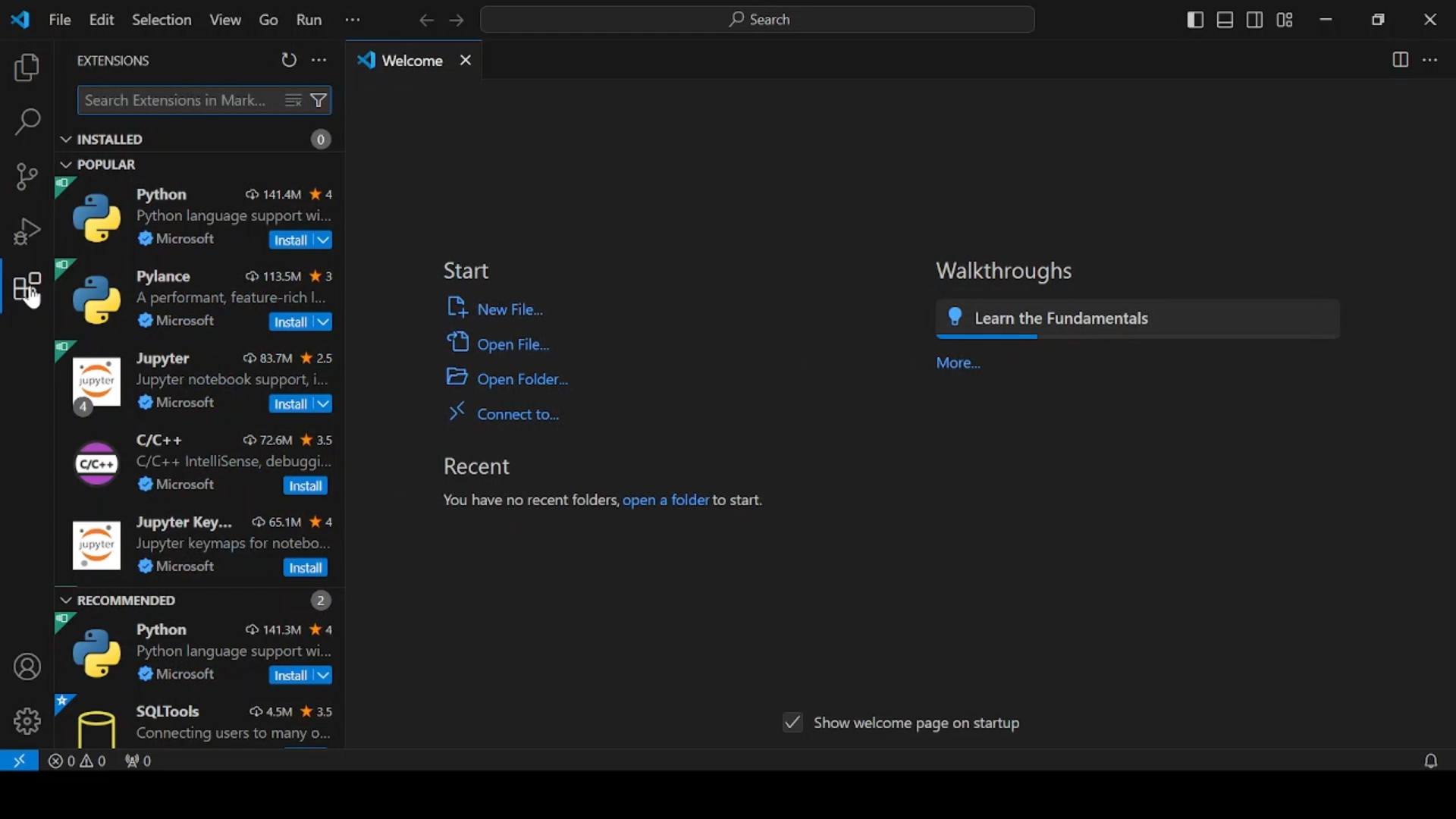 This screenshot has height=819, width=1456. I want to click on Jupyter keymaps, so click(202, 547).